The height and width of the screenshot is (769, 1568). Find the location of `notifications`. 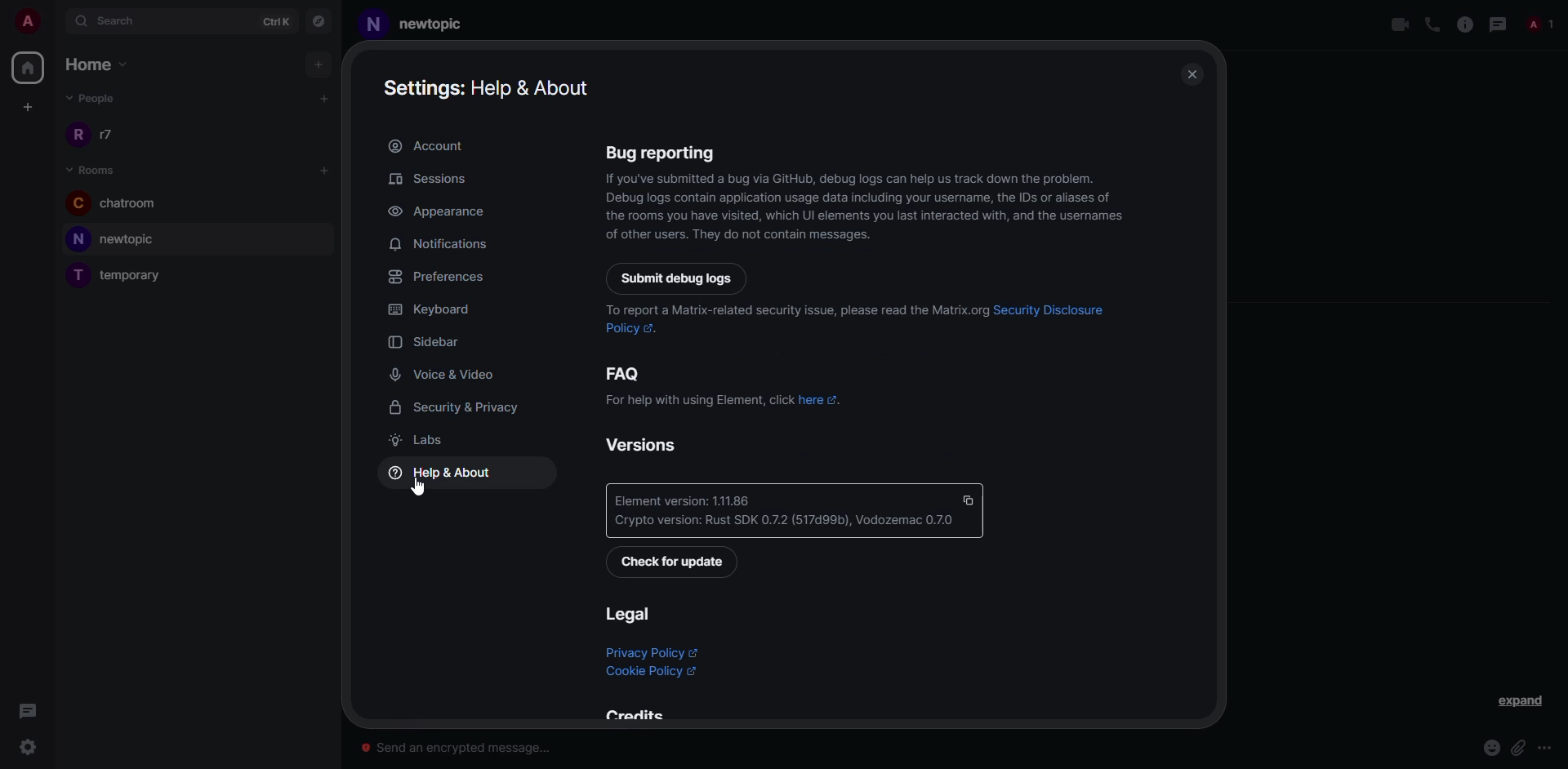

notifications is located at coordinates (443, 243).